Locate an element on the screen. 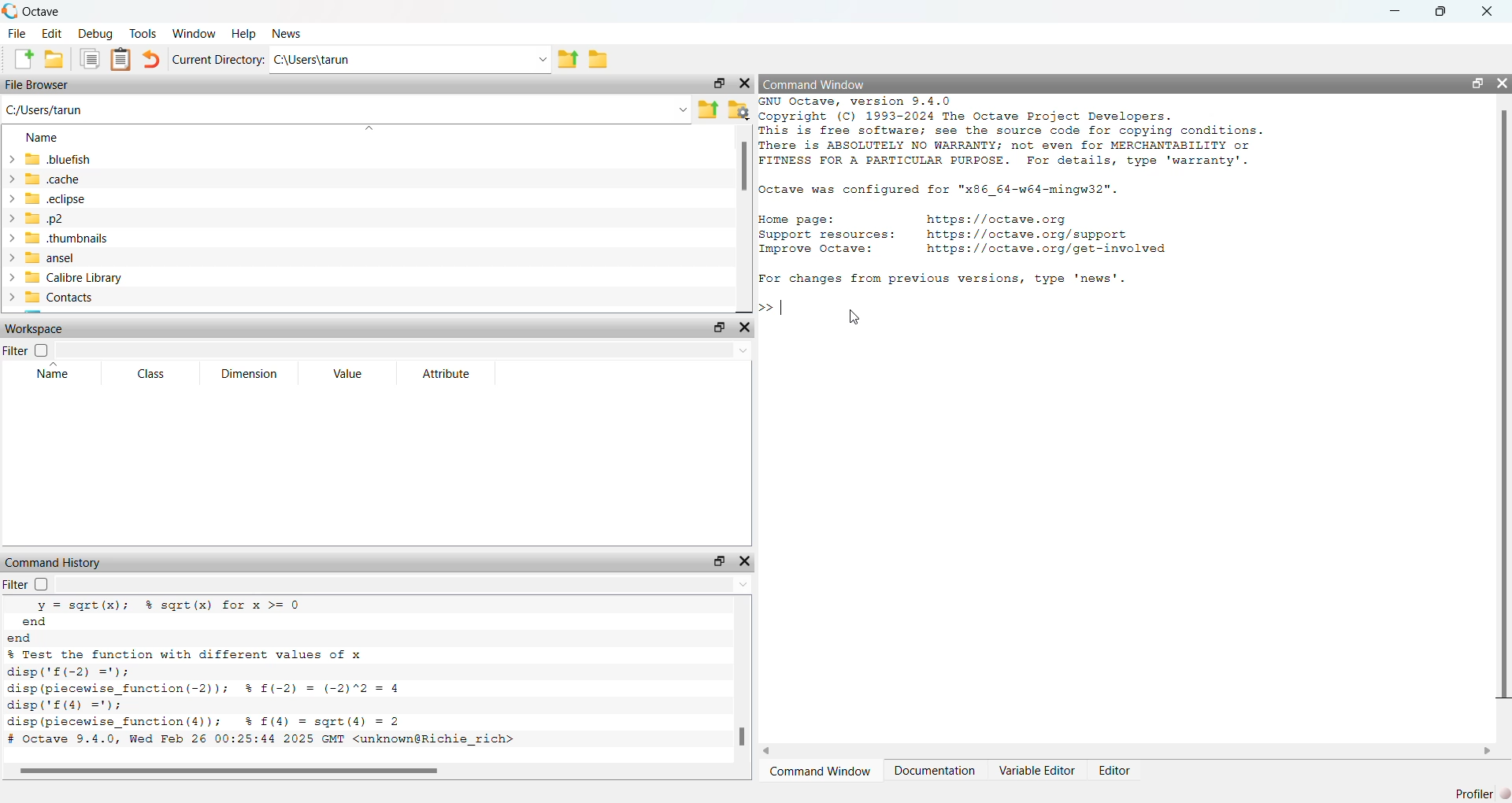 This screenshot has width=1512, height=803. Minimize is located at coordinates (1391, 11).